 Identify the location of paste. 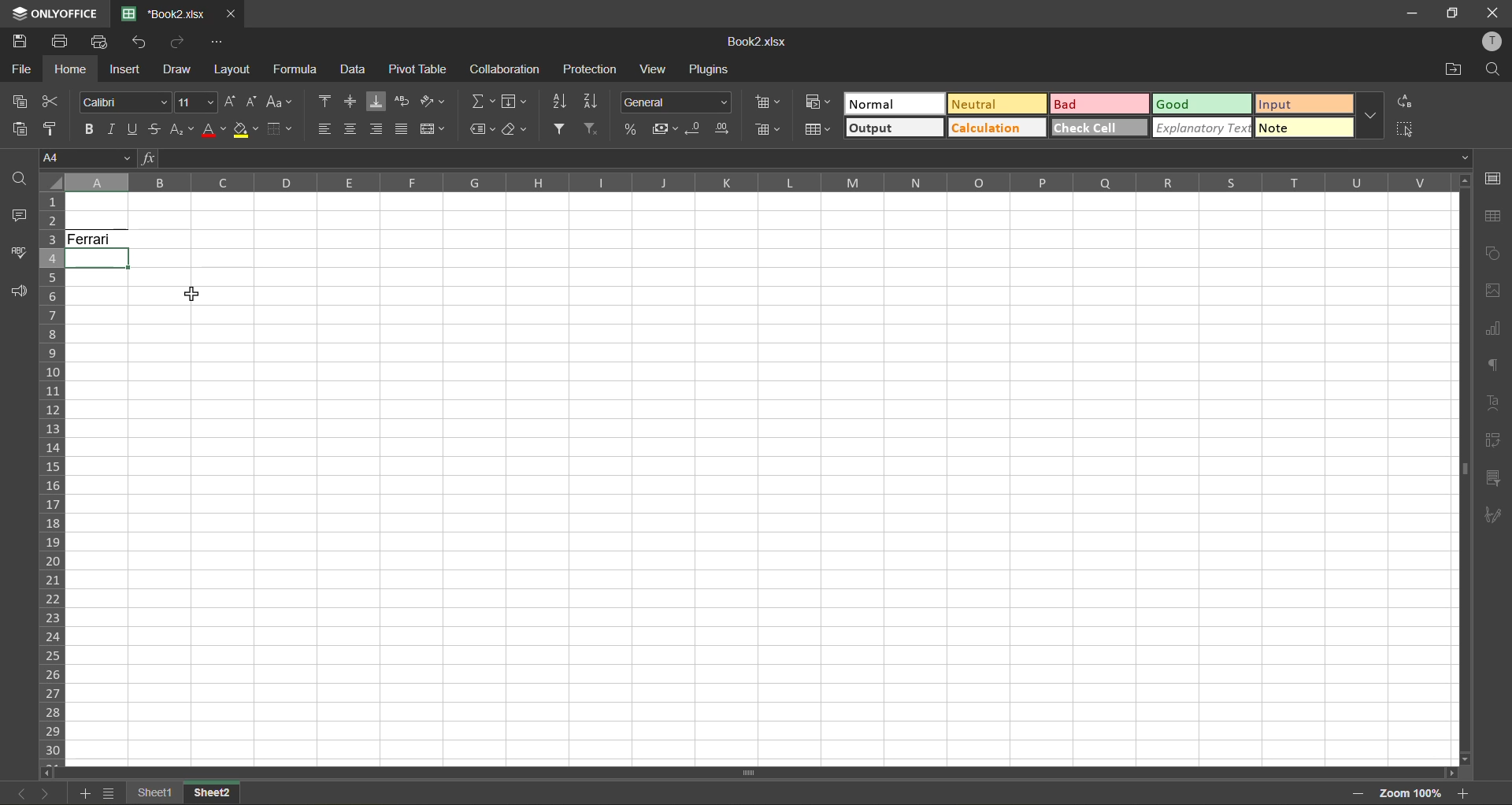
(18, 129).